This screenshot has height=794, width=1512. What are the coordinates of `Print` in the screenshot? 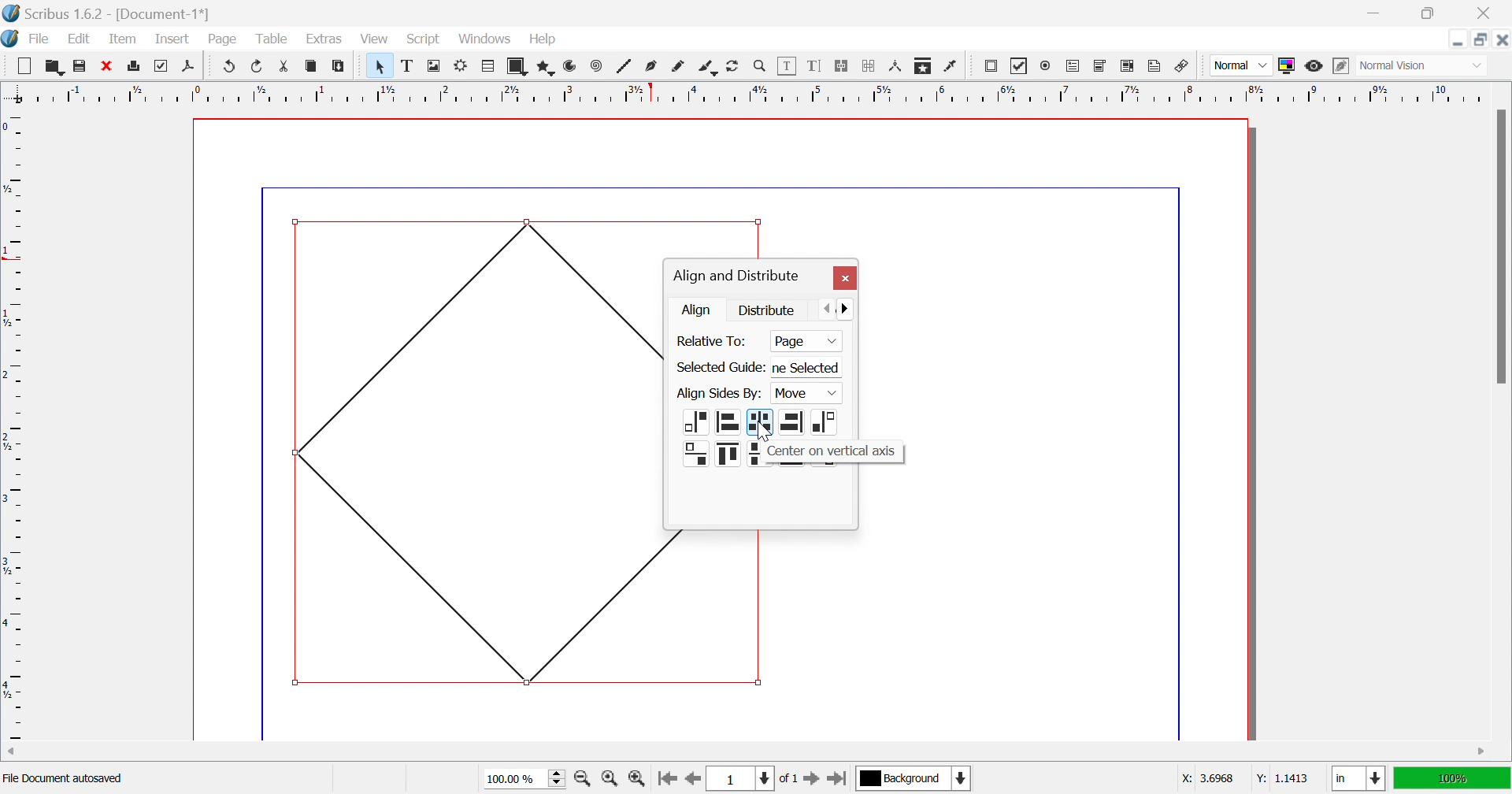 It's located at (158, 66).